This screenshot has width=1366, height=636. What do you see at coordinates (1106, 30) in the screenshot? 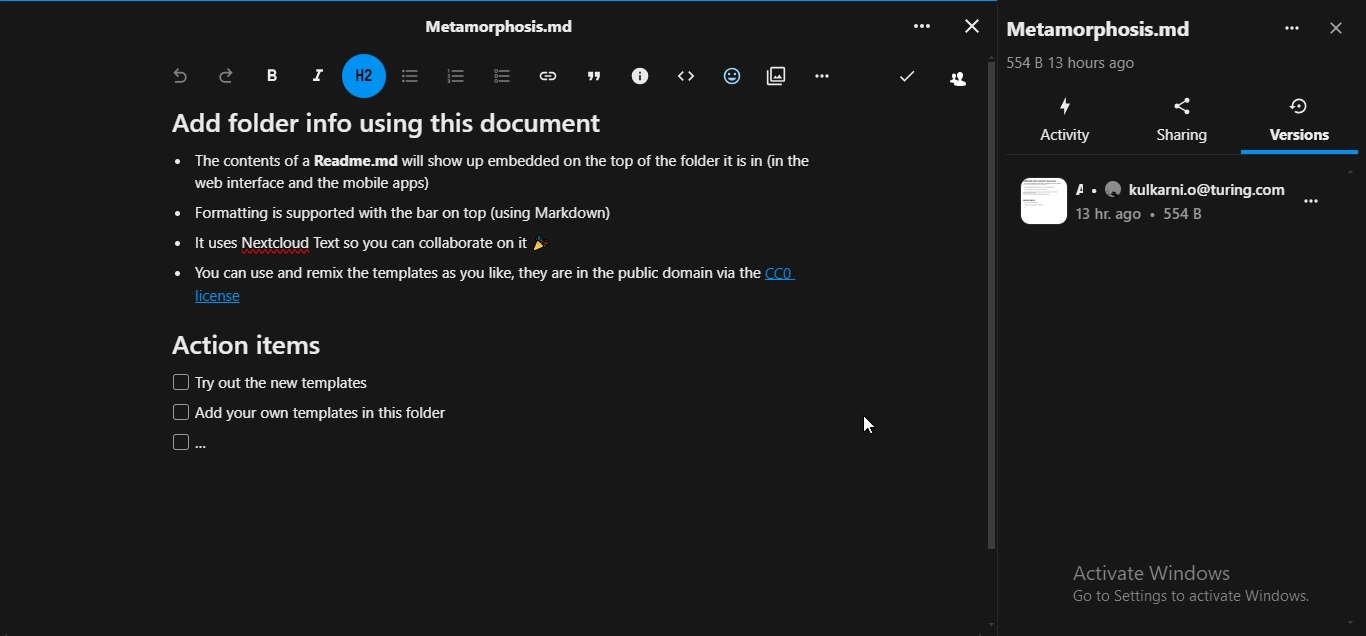
I see `text` at bounding box center [1106, 30].